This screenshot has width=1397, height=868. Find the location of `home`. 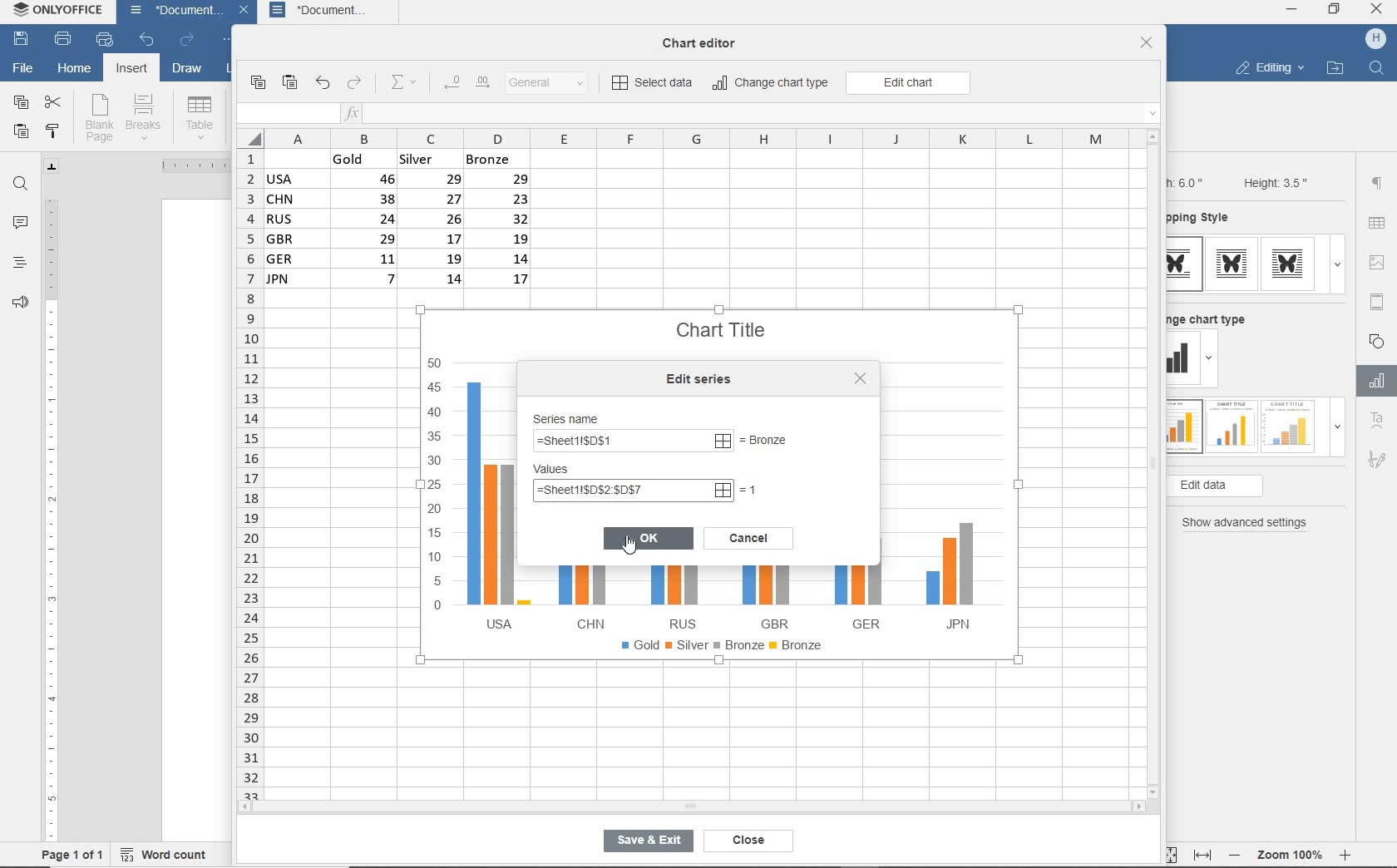

home is located at coordinates (74, 71).